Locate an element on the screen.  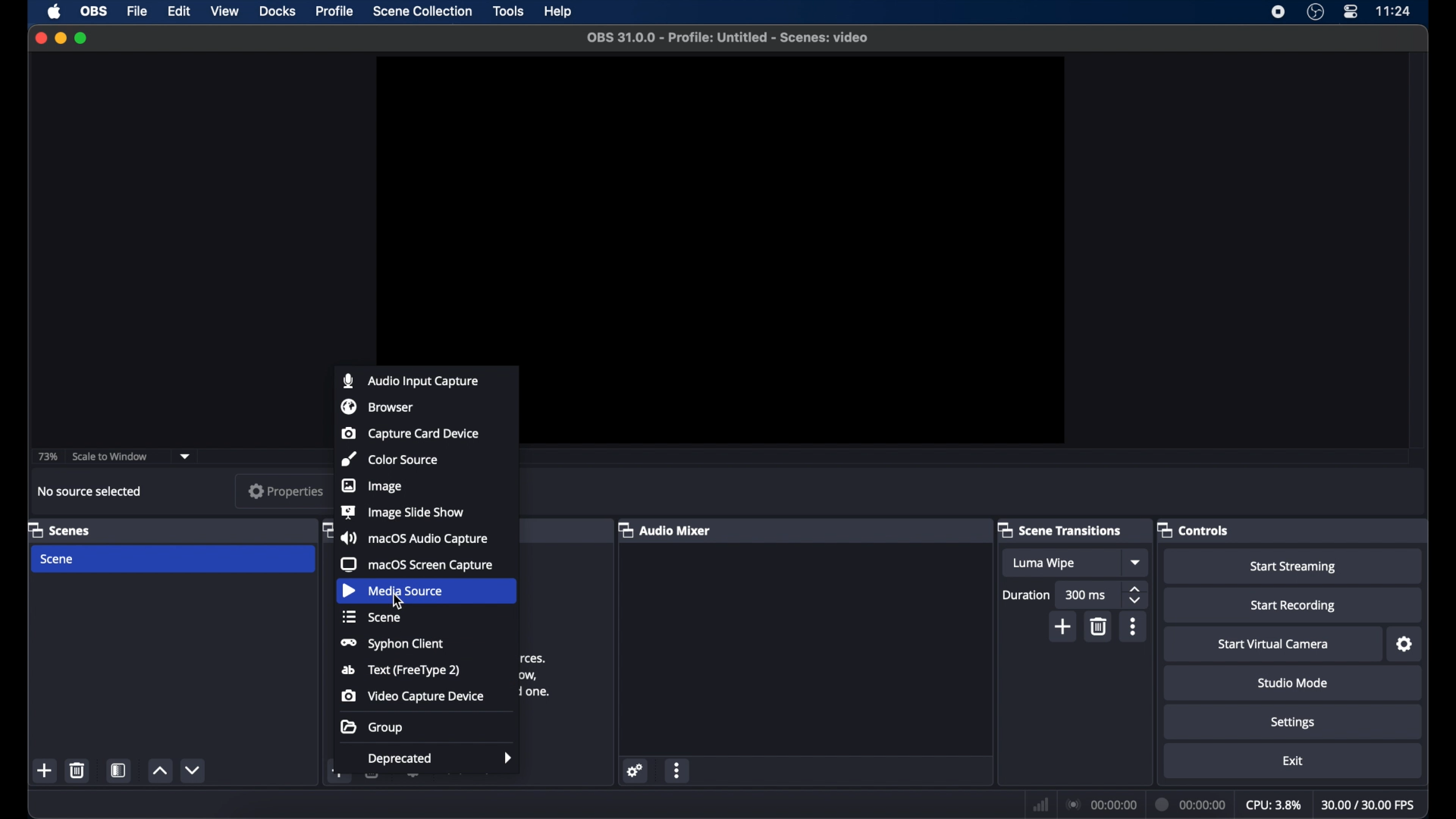
scene is located at coordinates (372, 617).